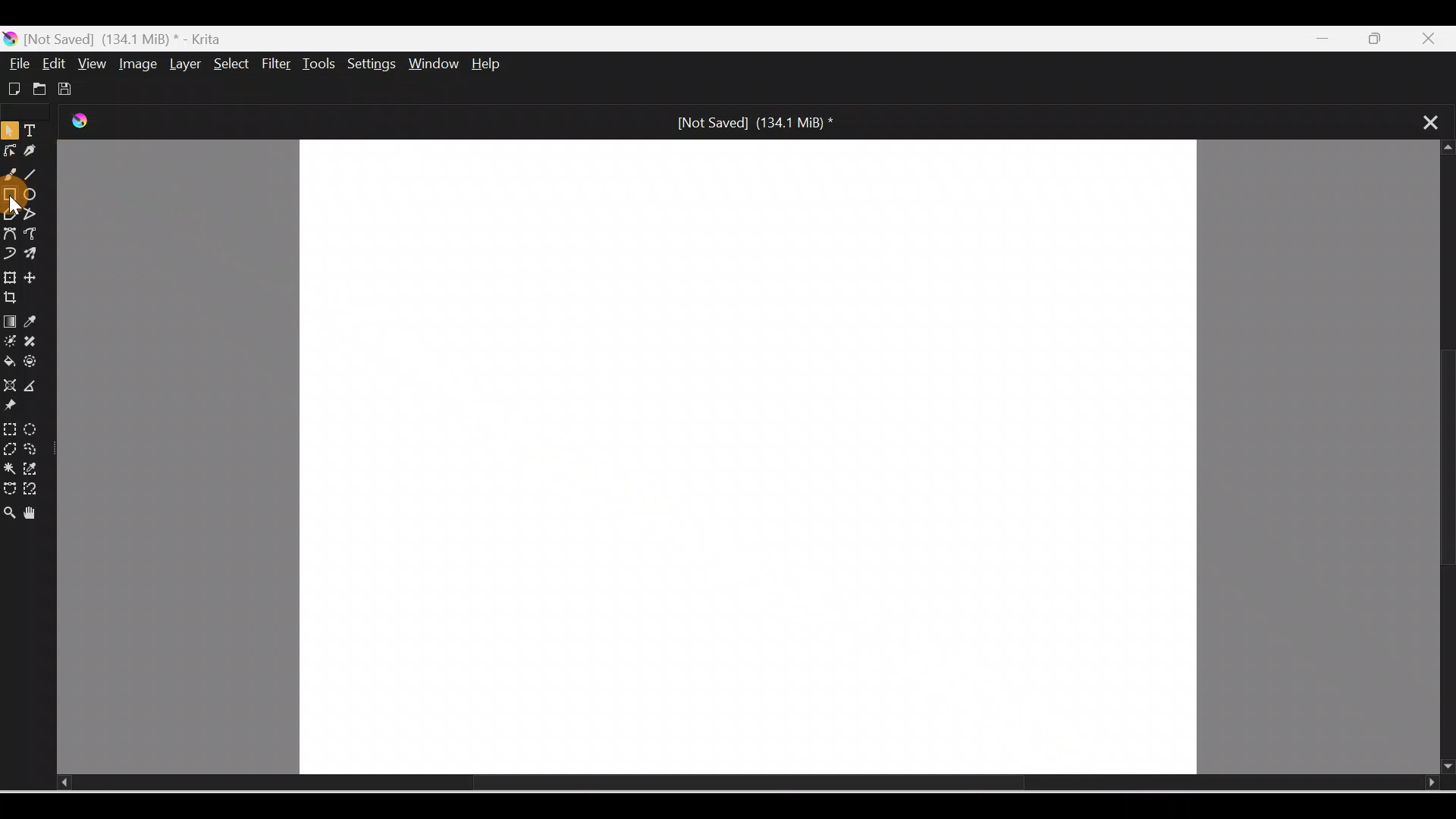  I want to click on Help, so click(499, 65).